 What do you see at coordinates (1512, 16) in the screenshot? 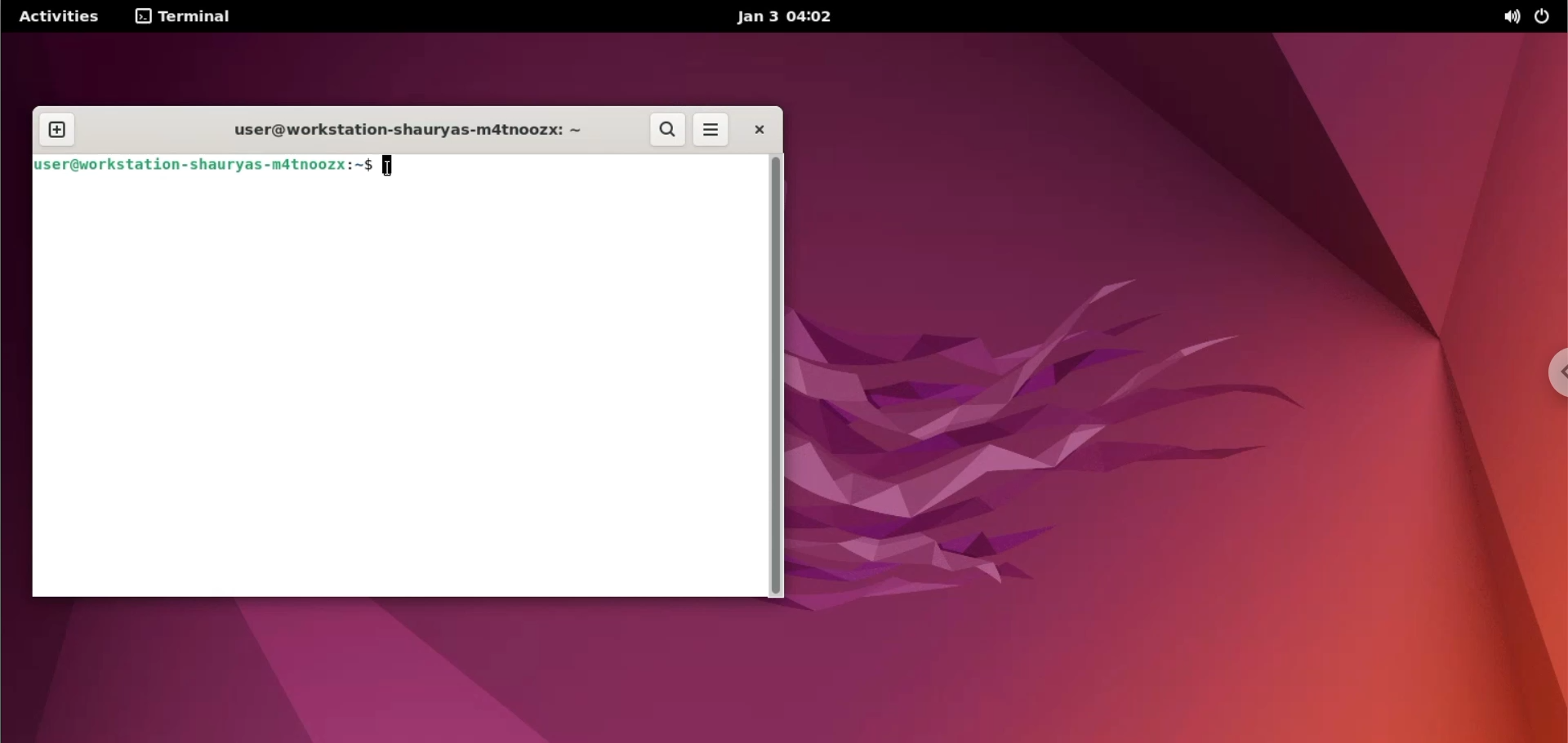
I see `sound options` at bounding box center [1512, 16].